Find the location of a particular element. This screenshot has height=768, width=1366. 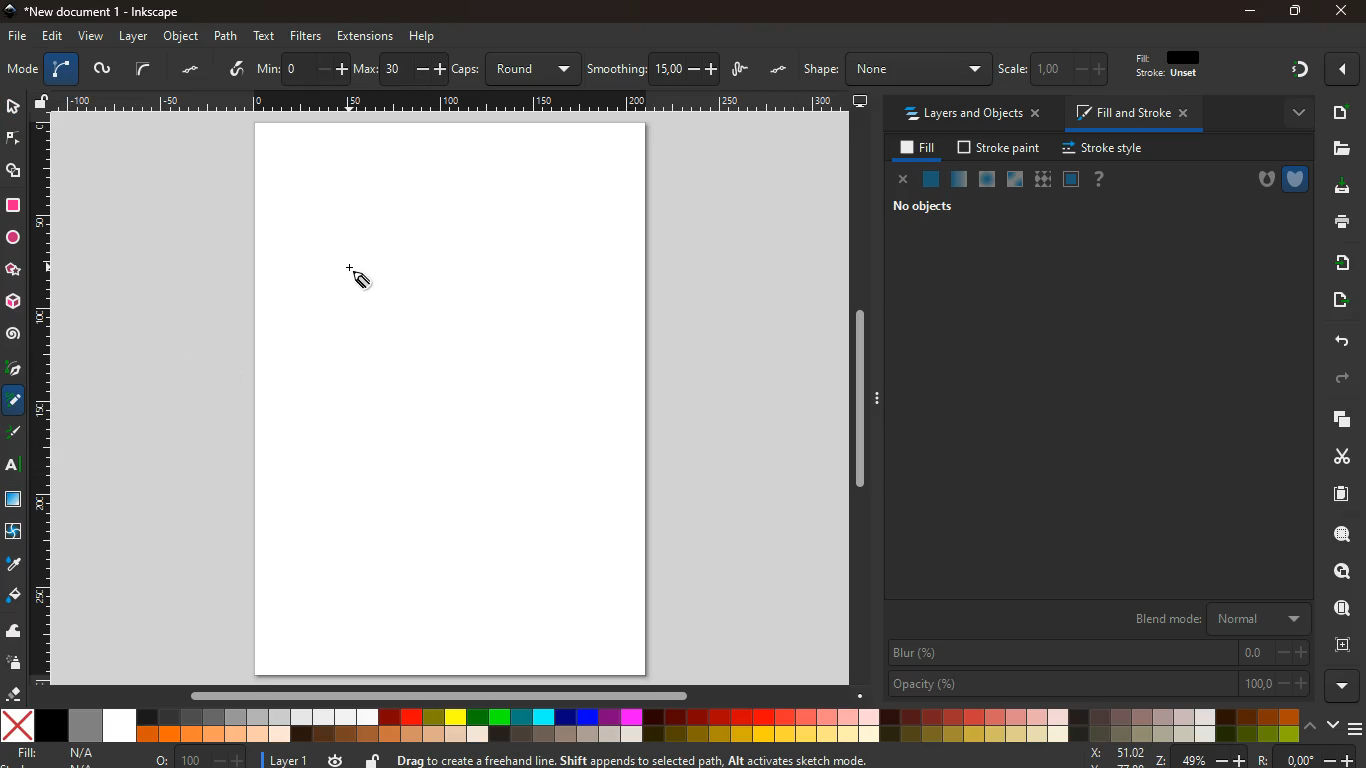

add is located at coordinates (1340, 112).